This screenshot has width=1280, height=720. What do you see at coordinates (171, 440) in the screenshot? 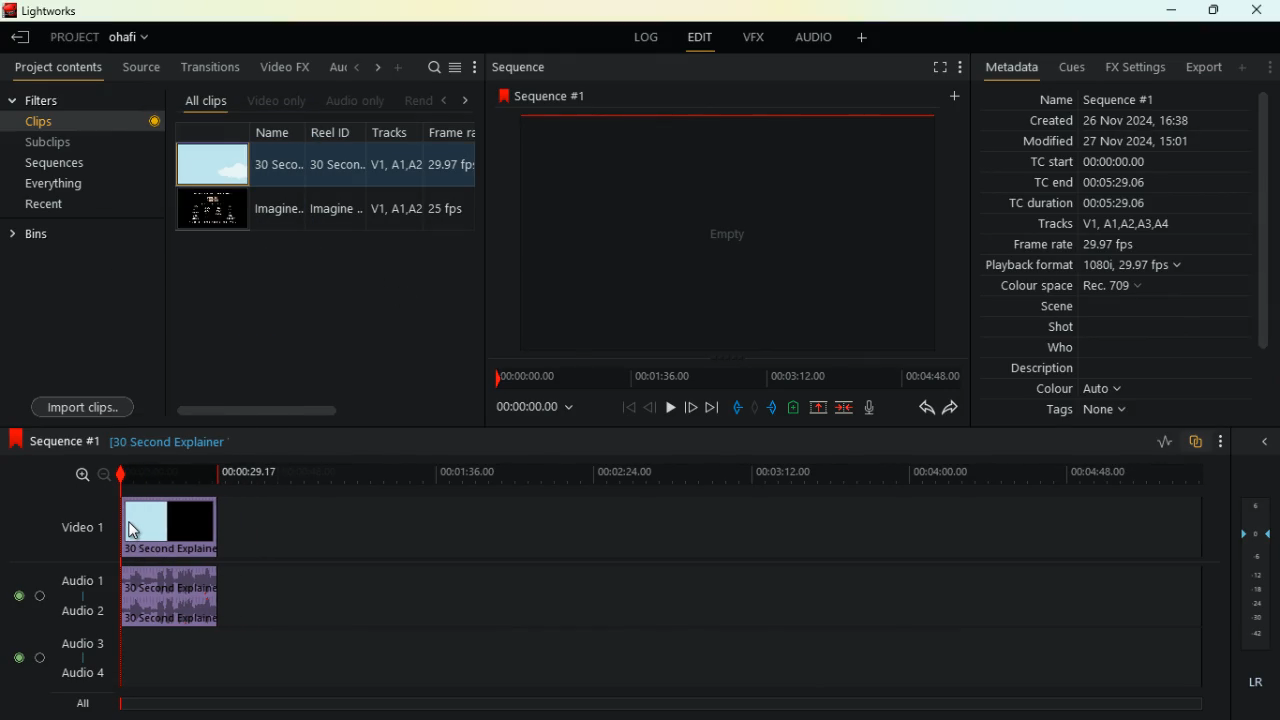
I see `30 second explainer` at bounding box center [171, 440].